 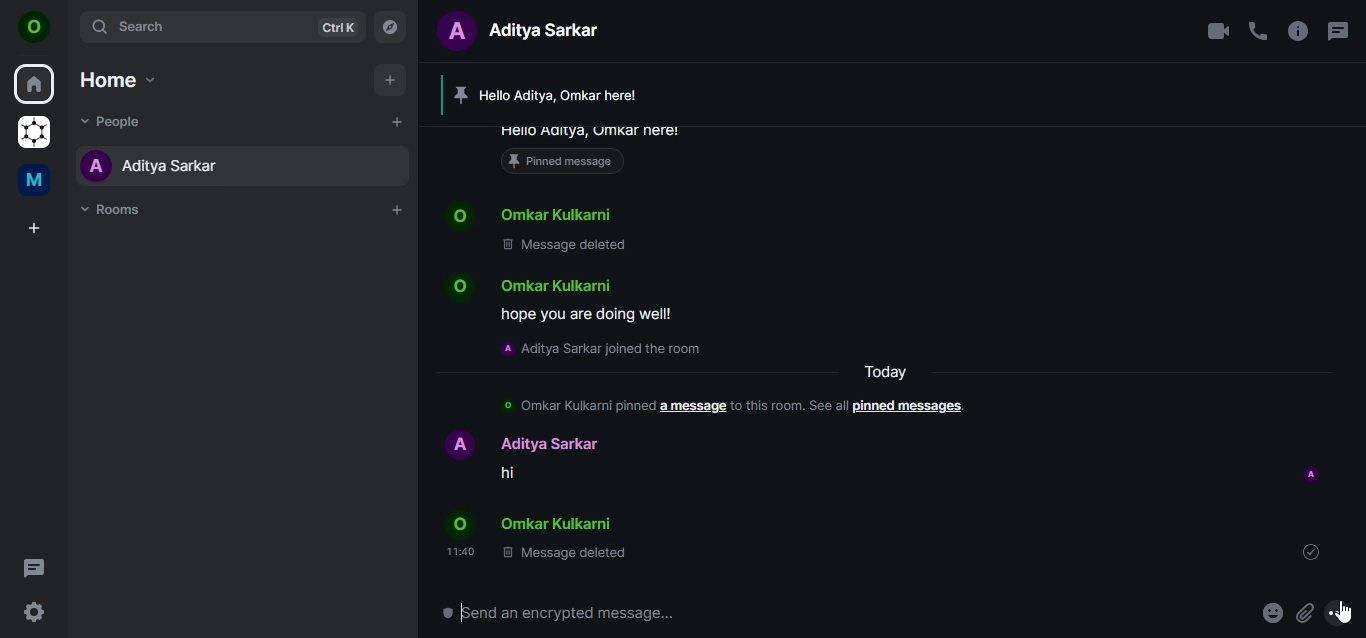 What do you see at coordinates (1344, 616) in the screenshot?
I see `cursor` at bounding box center [1344, 616].